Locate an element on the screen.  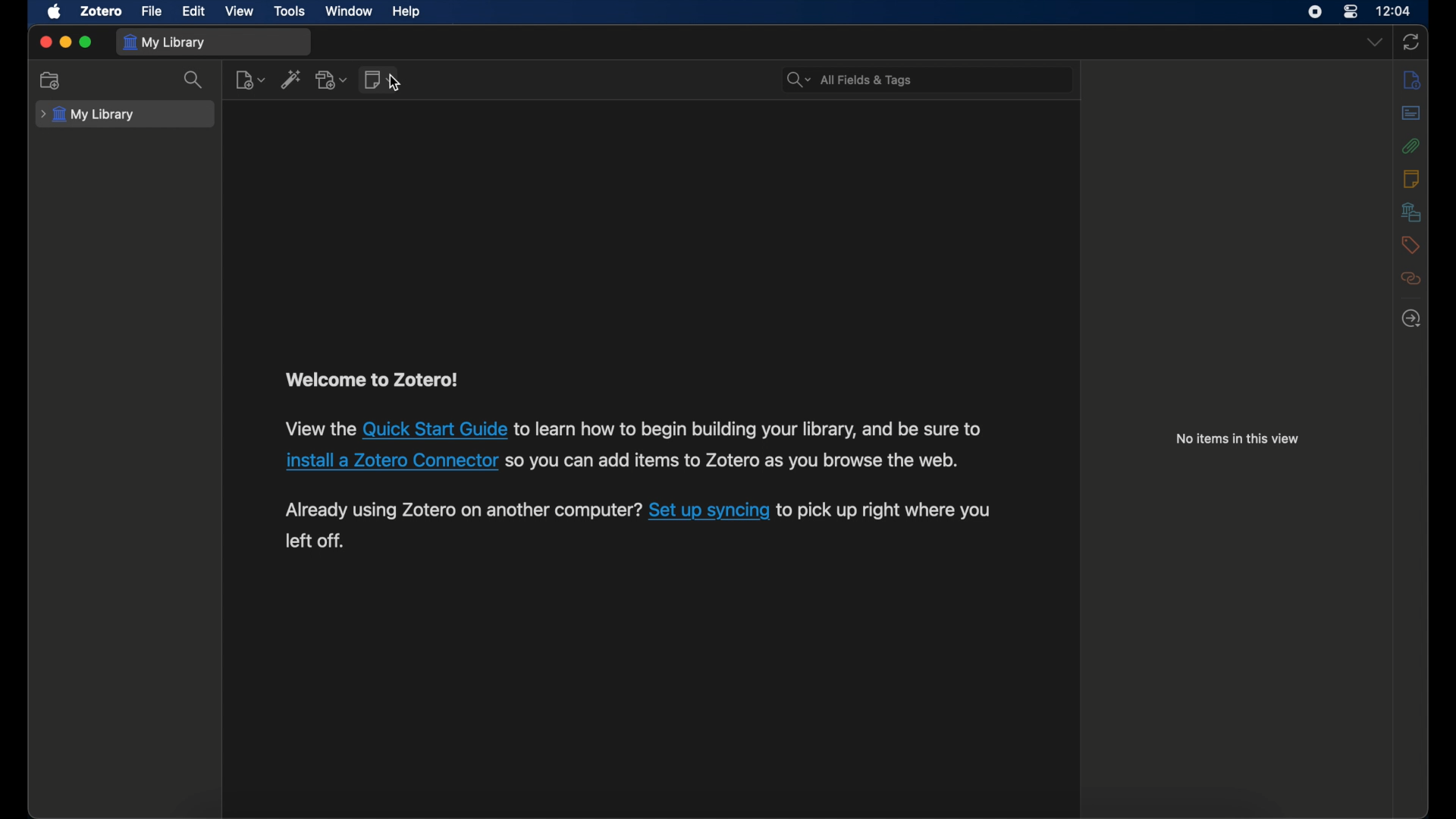
tags is located at coordinates (1410, 245).